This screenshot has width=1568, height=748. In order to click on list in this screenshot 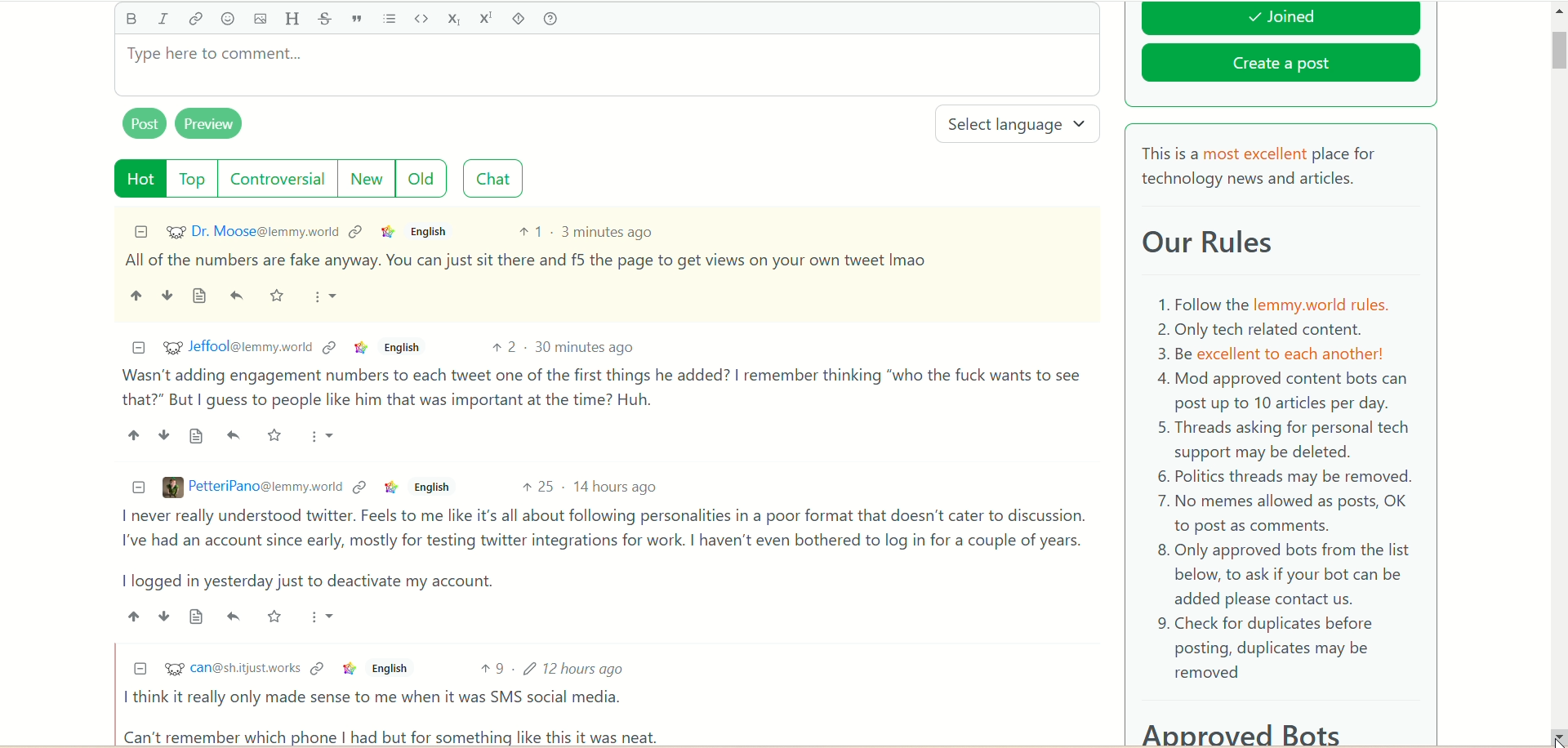, I will do `click(390, 19)`.